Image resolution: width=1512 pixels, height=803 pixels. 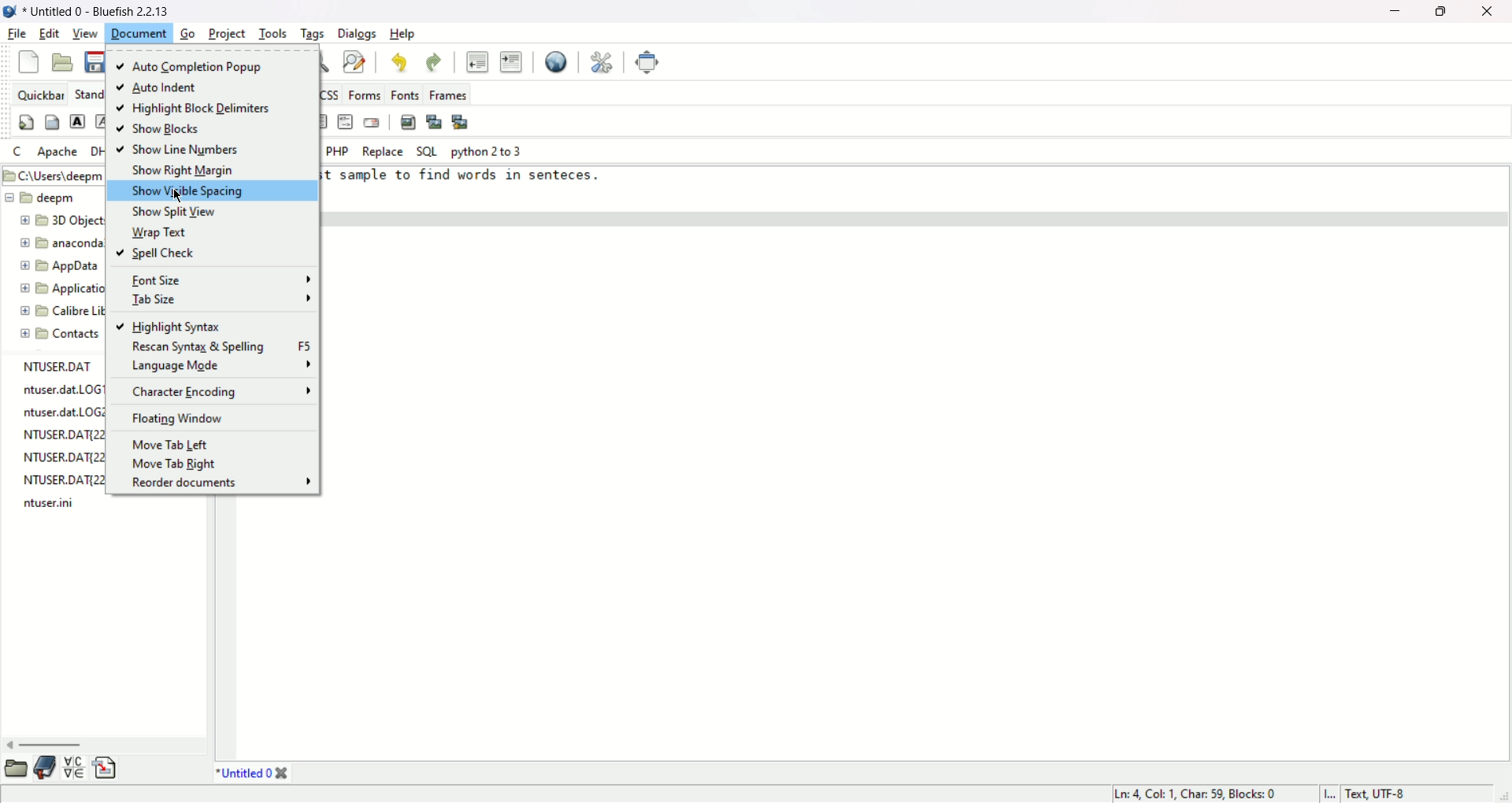 I want to click on tab size, so click(x=213, y=301).